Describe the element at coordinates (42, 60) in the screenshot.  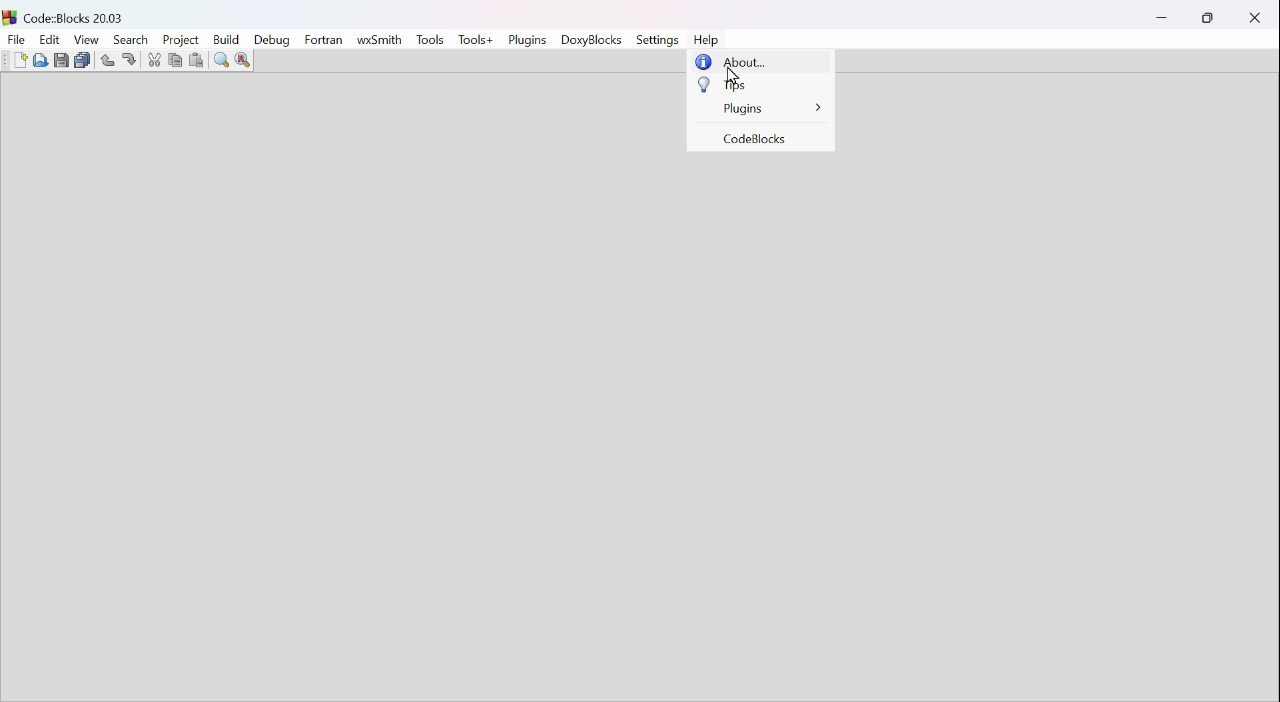
I see `Open` at that location.